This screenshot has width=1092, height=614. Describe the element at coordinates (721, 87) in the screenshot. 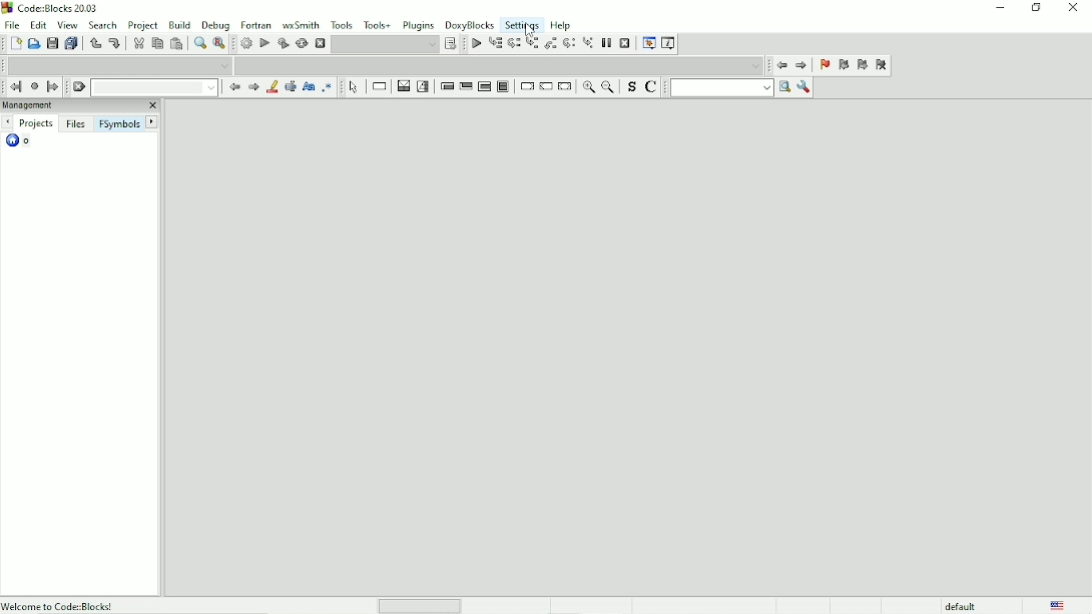

I see `run search` at that location.